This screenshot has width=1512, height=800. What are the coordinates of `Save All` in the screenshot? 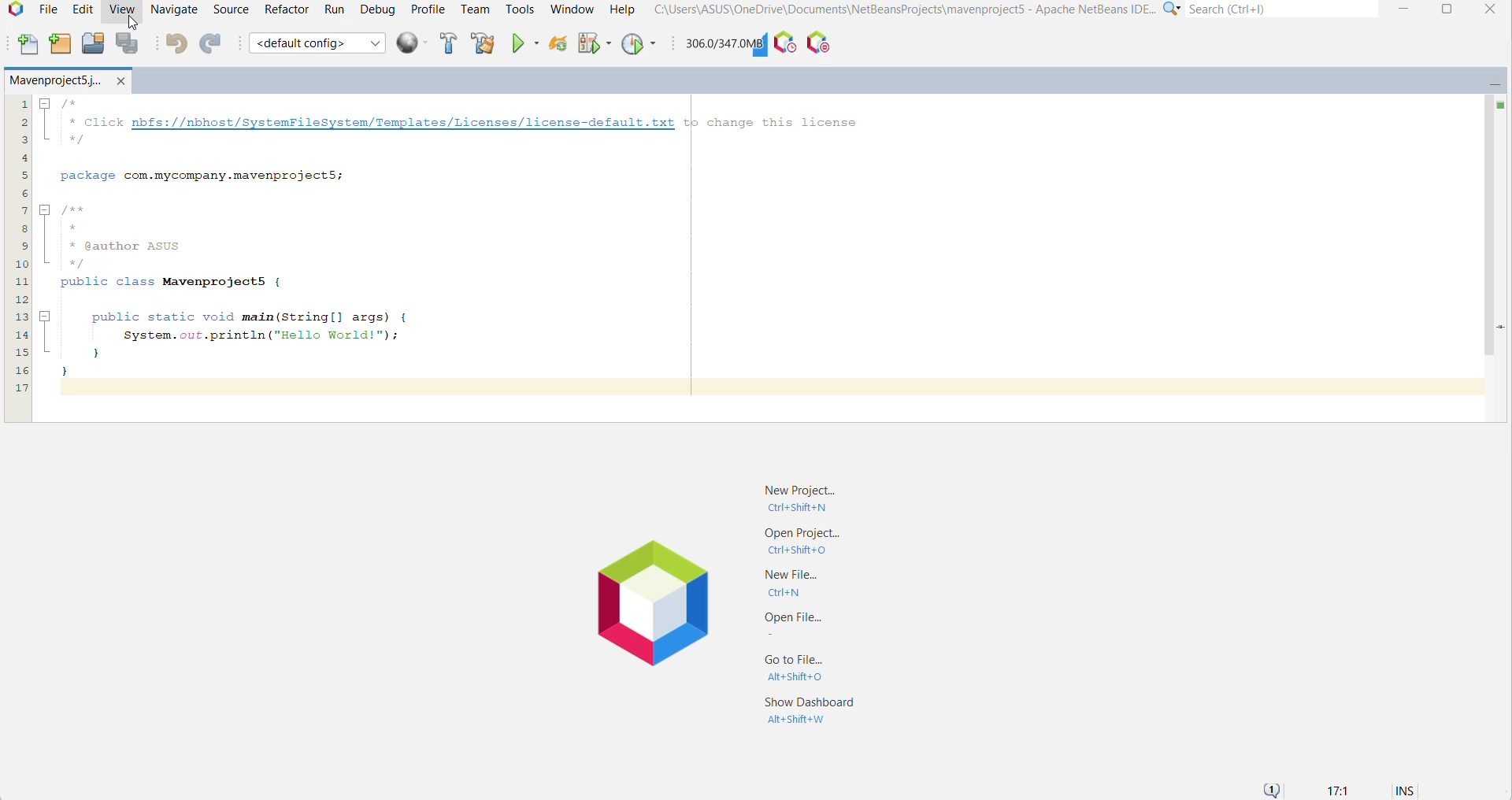 It's located at (130, 44).